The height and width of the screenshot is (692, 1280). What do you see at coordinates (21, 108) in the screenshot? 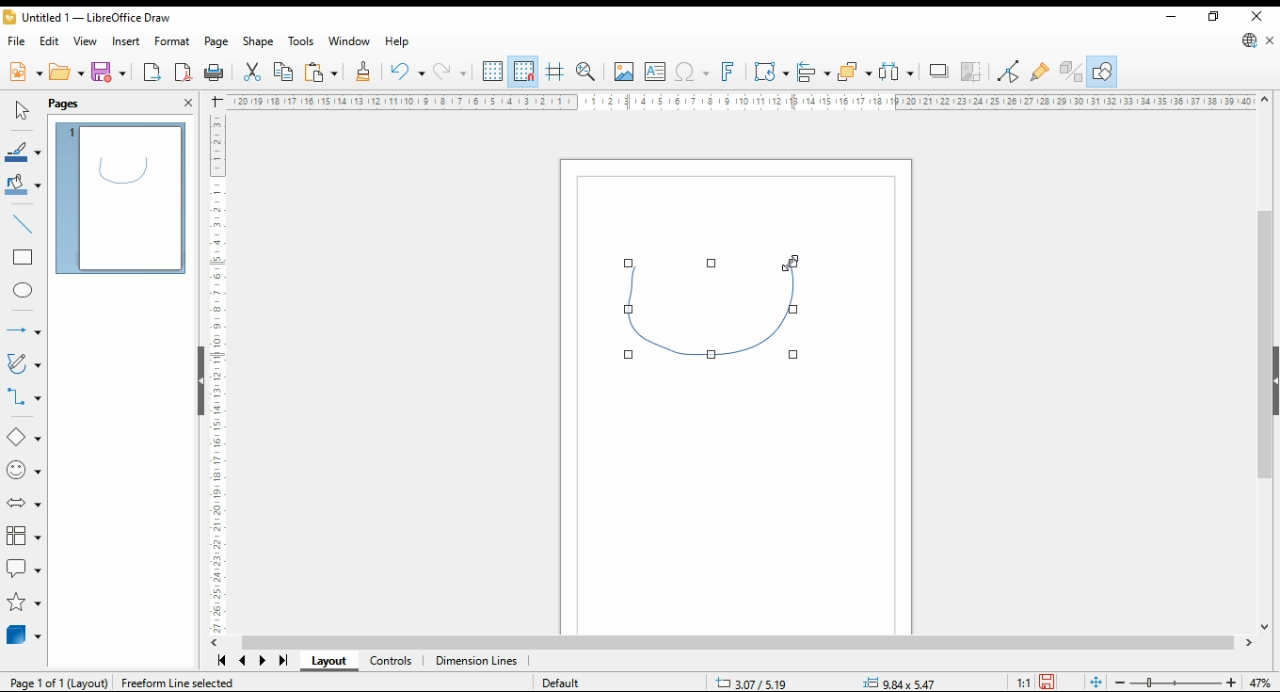
I see `select` at bounding box center [21, 108].